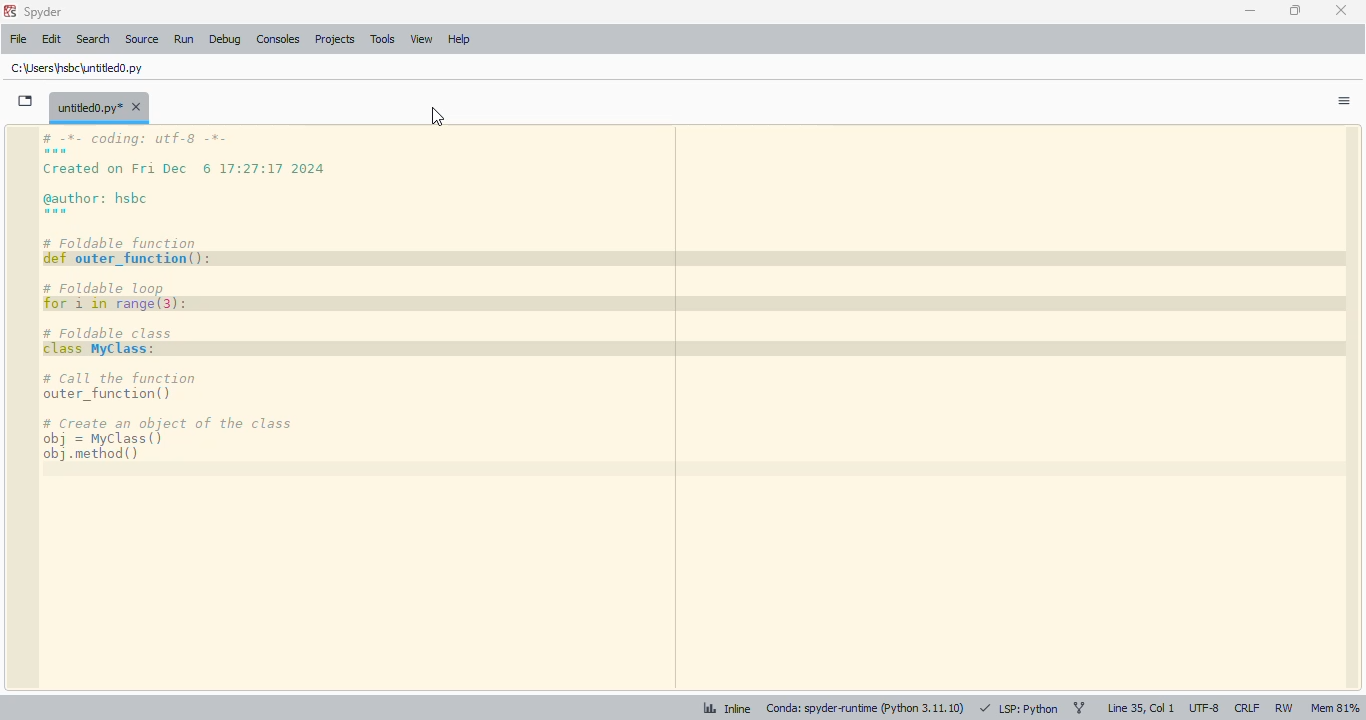 Image resolution: width=1366 pixels, height=720 pixels. Describe the element at coordinates (183, 39) in the screenshot. I see `run` at that location.